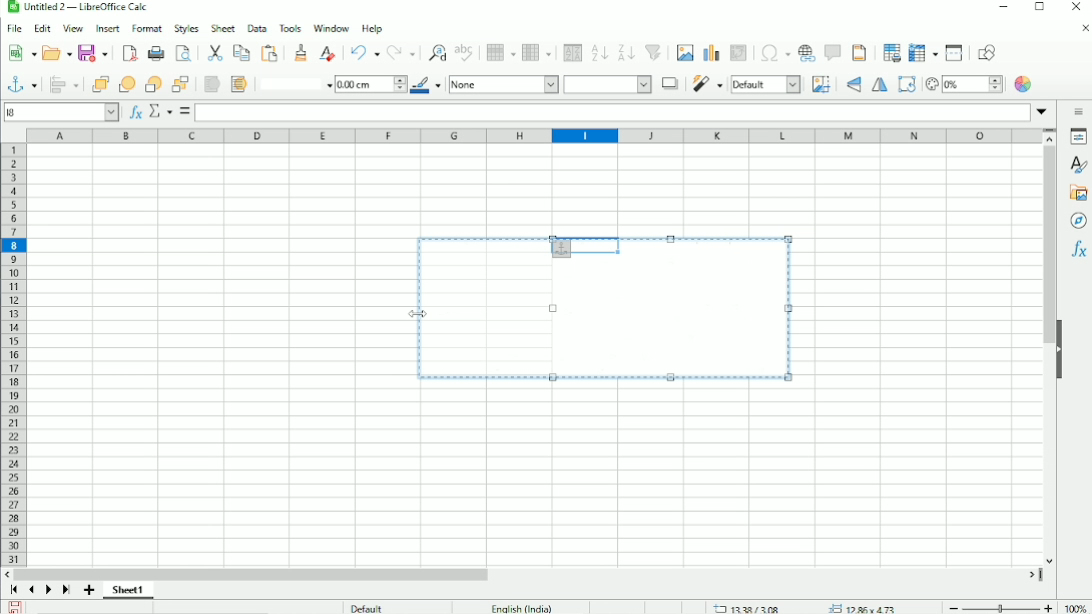 The width and height of the screenshot is (1092, 614). I want to click on Functions, so click(1078, 251).